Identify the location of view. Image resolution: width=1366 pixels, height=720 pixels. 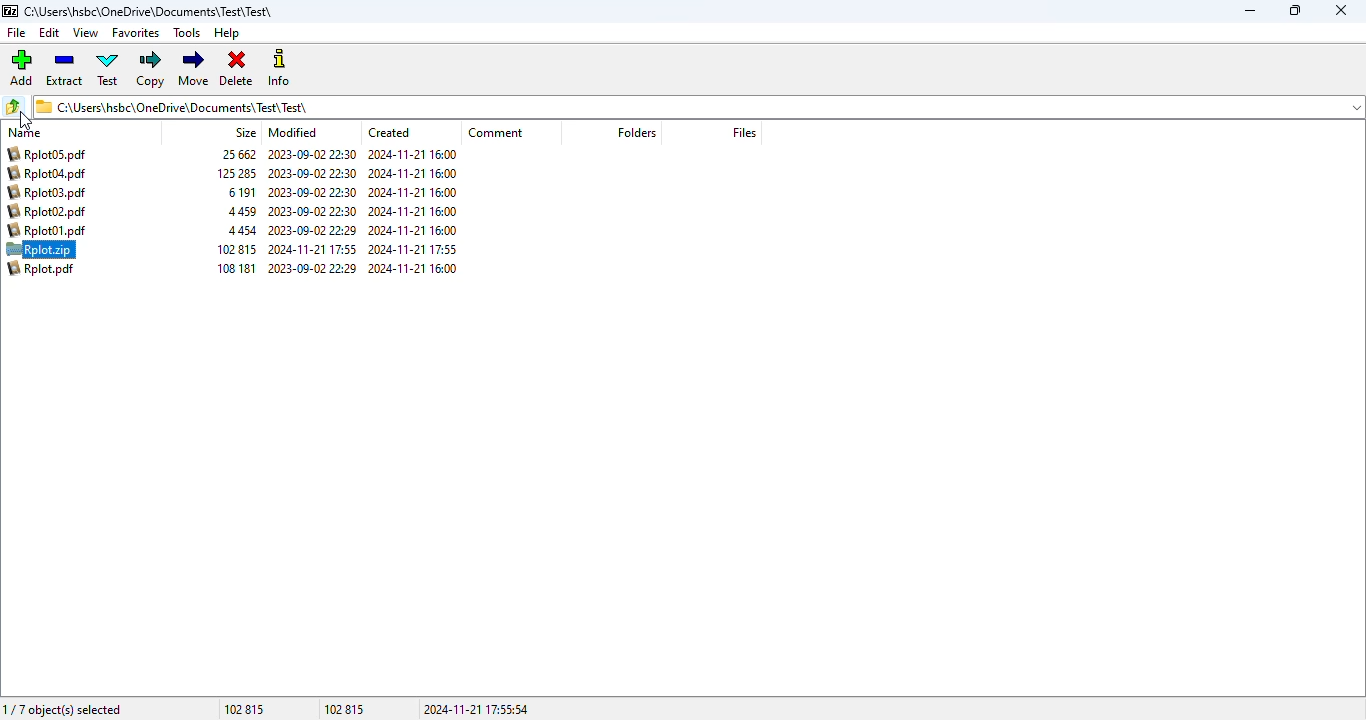
(85, 33).